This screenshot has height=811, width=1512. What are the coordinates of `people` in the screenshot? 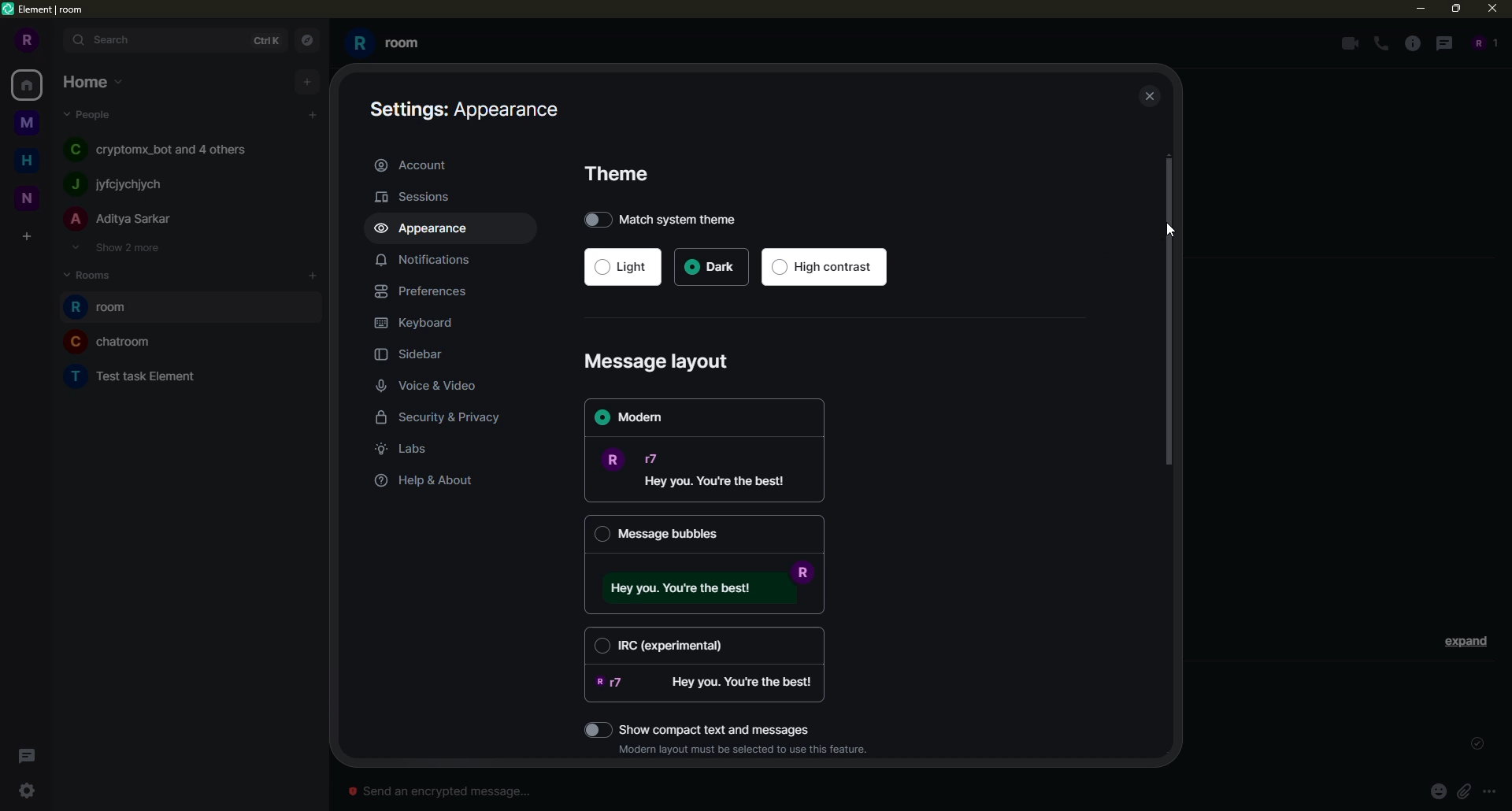 It's located at (120, 184).